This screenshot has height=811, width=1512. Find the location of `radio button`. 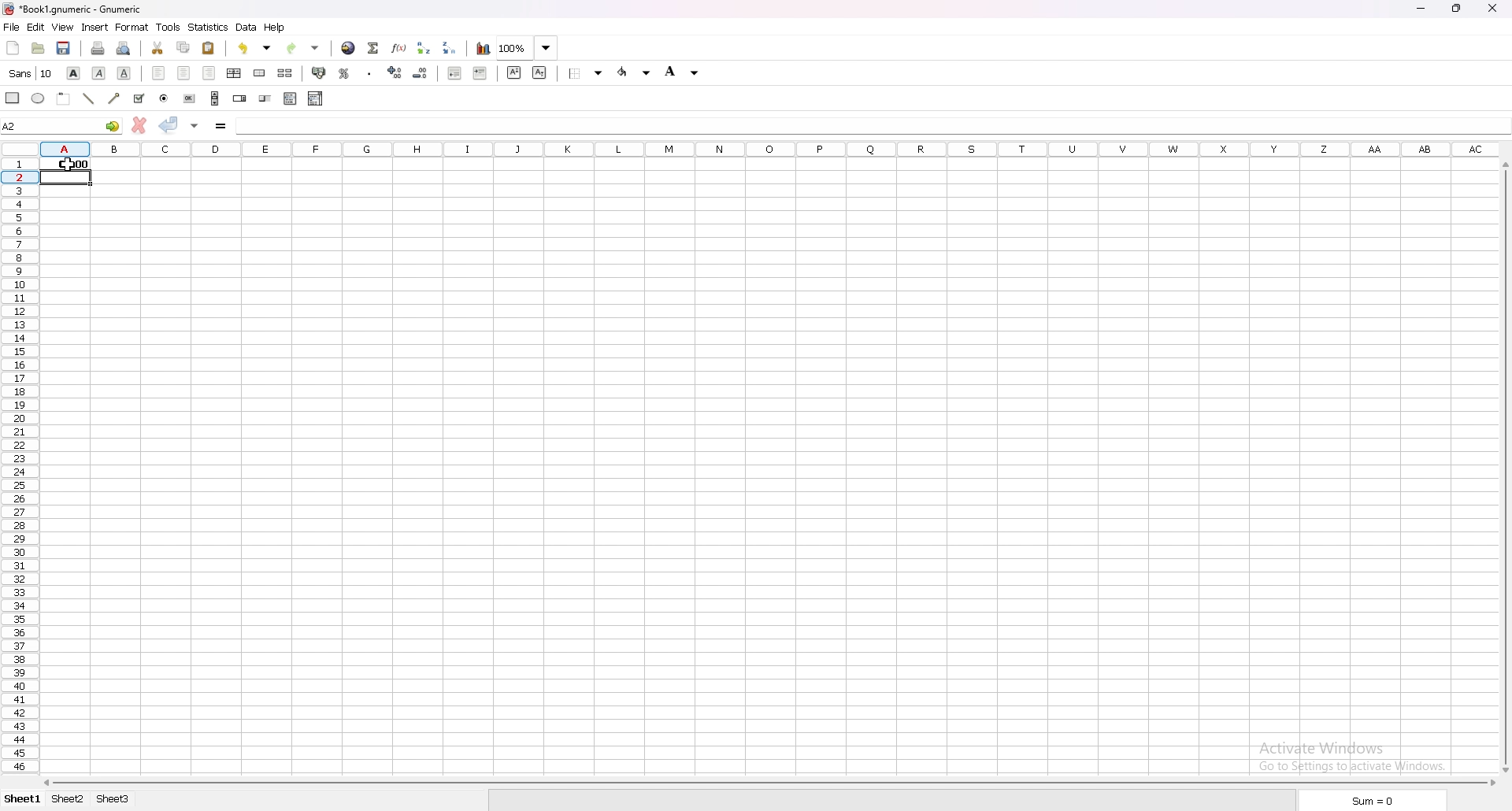

radio button is located at coordinates (164, 99).